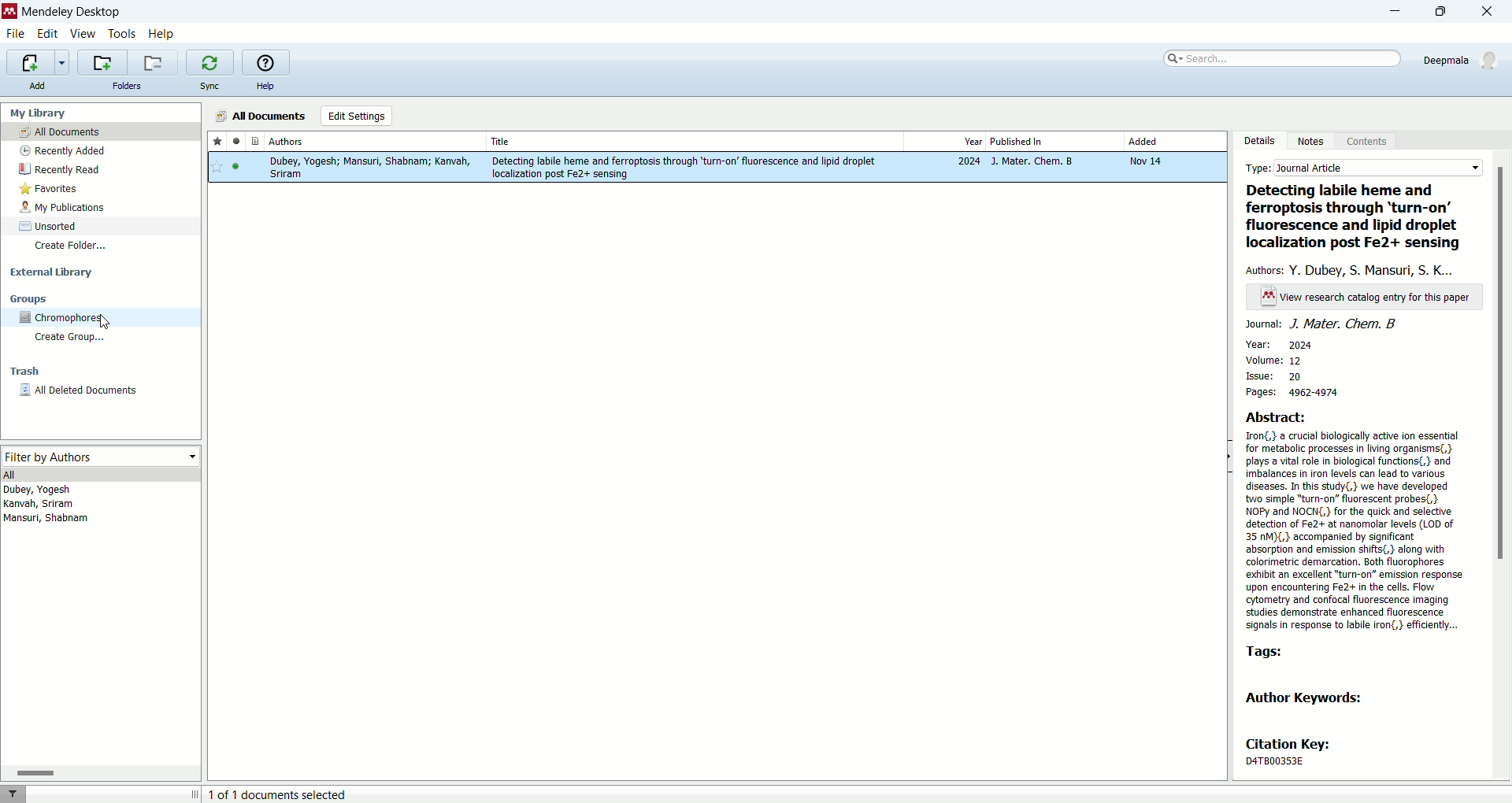 Image resolution: width=1512 pixels, height=803 pixels. What do you see at coordinates (49, 190) in the screenshot?
I see `favorites` at bounding box center [49, 190].